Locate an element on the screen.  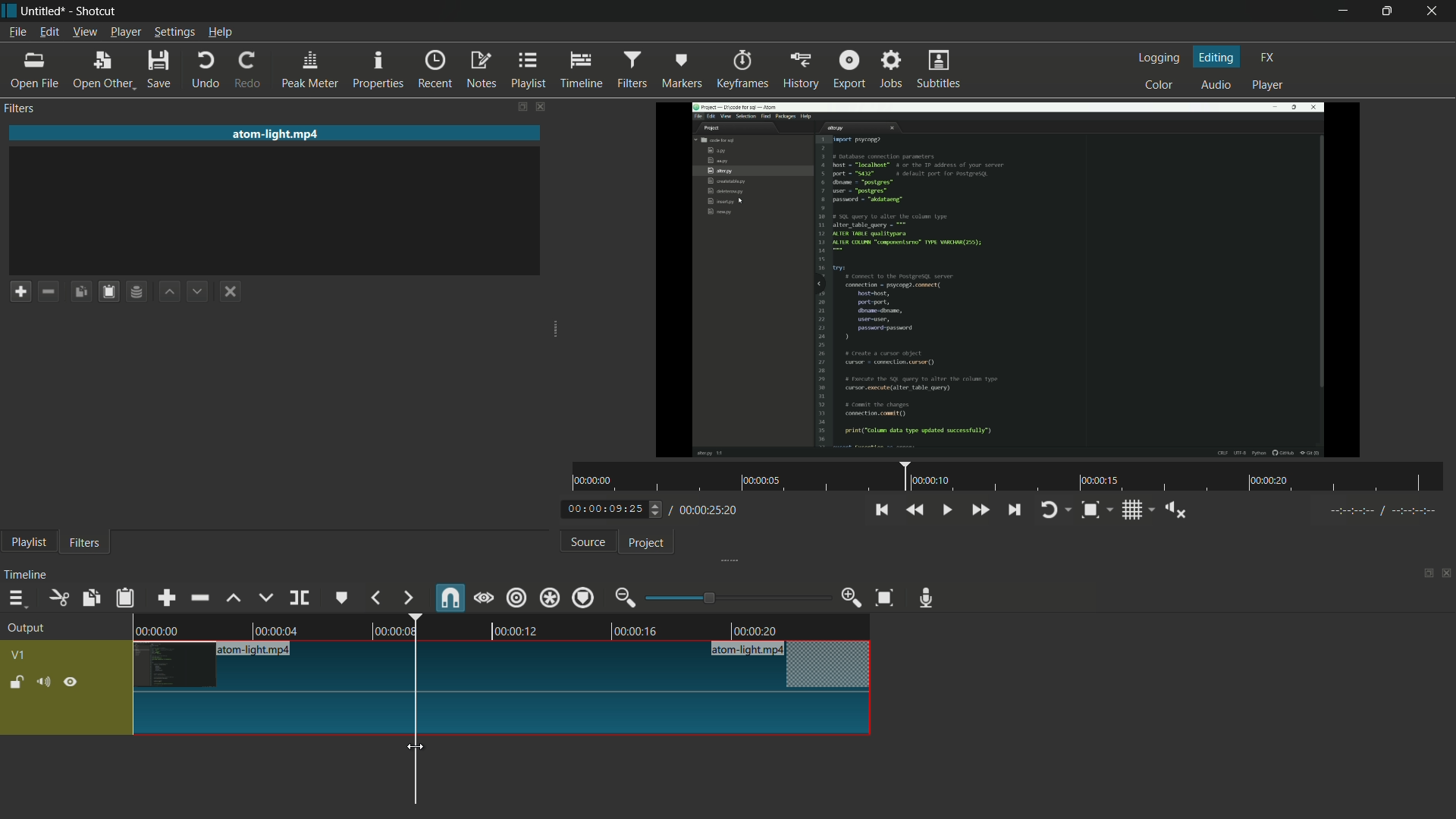
open file is located at coordinates (34, 71).